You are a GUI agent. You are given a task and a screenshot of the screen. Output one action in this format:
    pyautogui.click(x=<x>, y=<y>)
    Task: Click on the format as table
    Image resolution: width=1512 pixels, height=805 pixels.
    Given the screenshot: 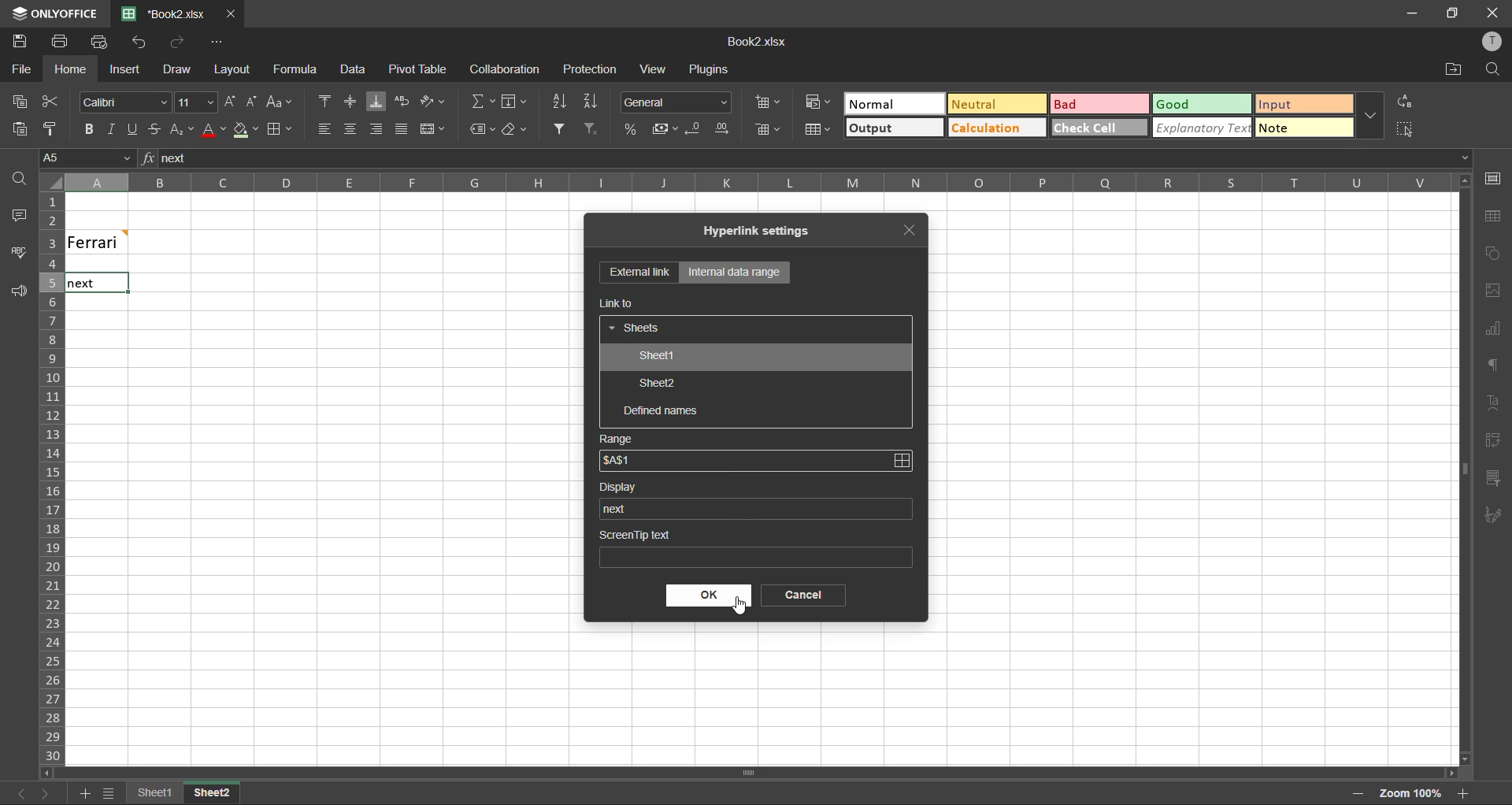 What is the action you would take?
    pyautogui.click(x=815, y=130)
    